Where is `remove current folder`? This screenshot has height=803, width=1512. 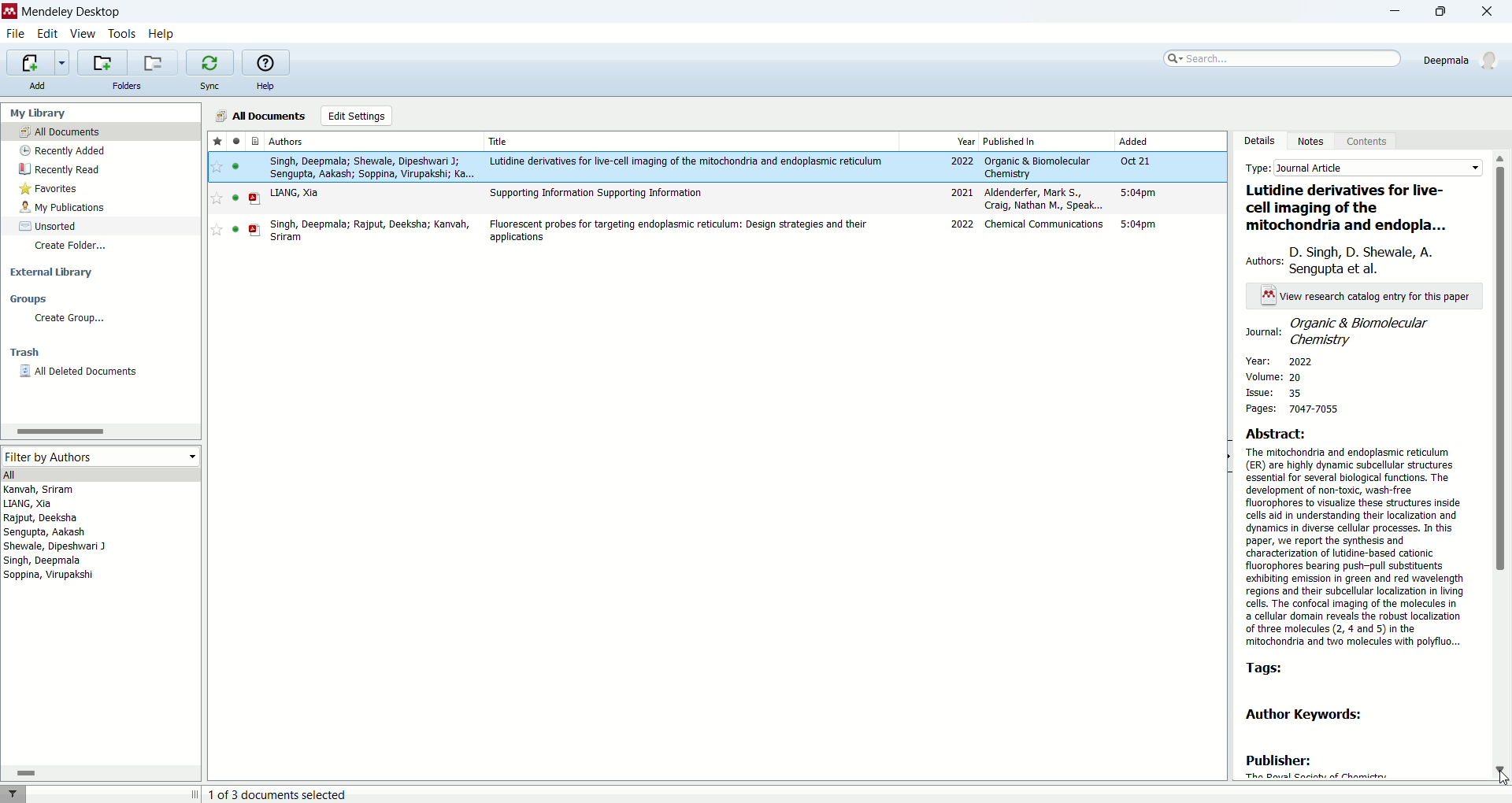 remove current folder is located at coordinates (152, 62).